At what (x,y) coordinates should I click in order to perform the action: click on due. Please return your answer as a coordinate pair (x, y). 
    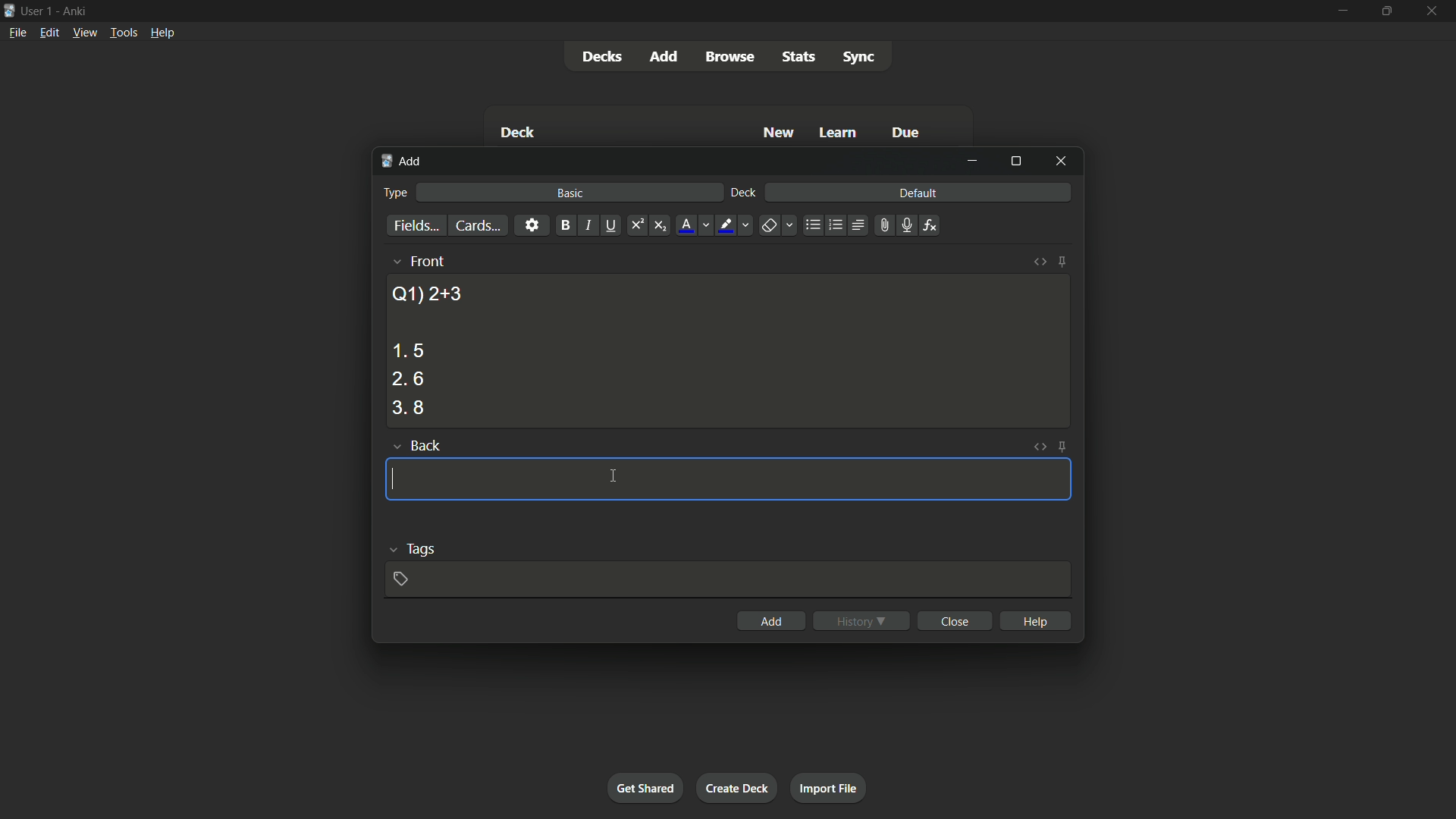
    Looking at the image, I should click on (906, 134).